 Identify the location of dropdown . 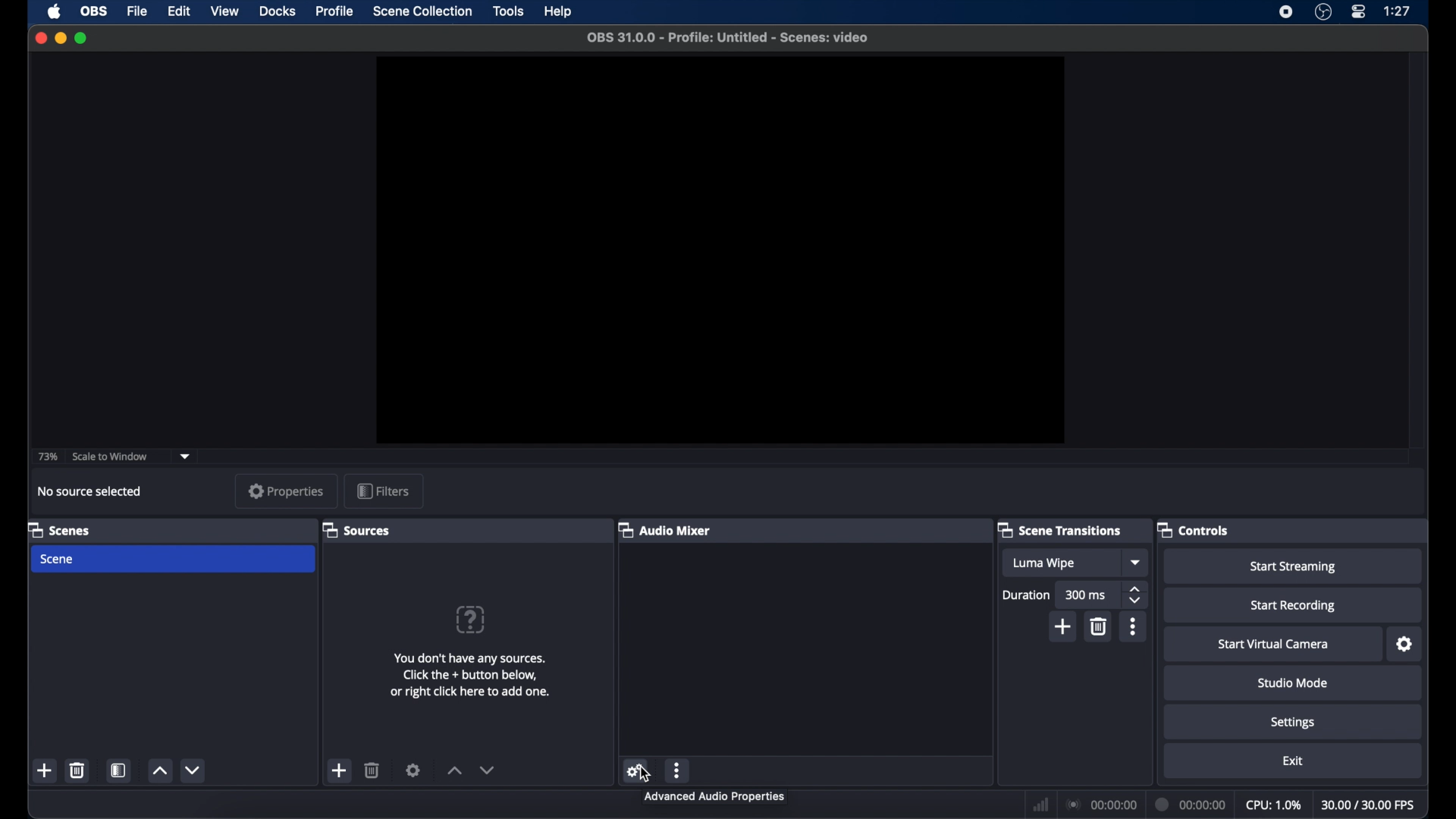
(185, 457).